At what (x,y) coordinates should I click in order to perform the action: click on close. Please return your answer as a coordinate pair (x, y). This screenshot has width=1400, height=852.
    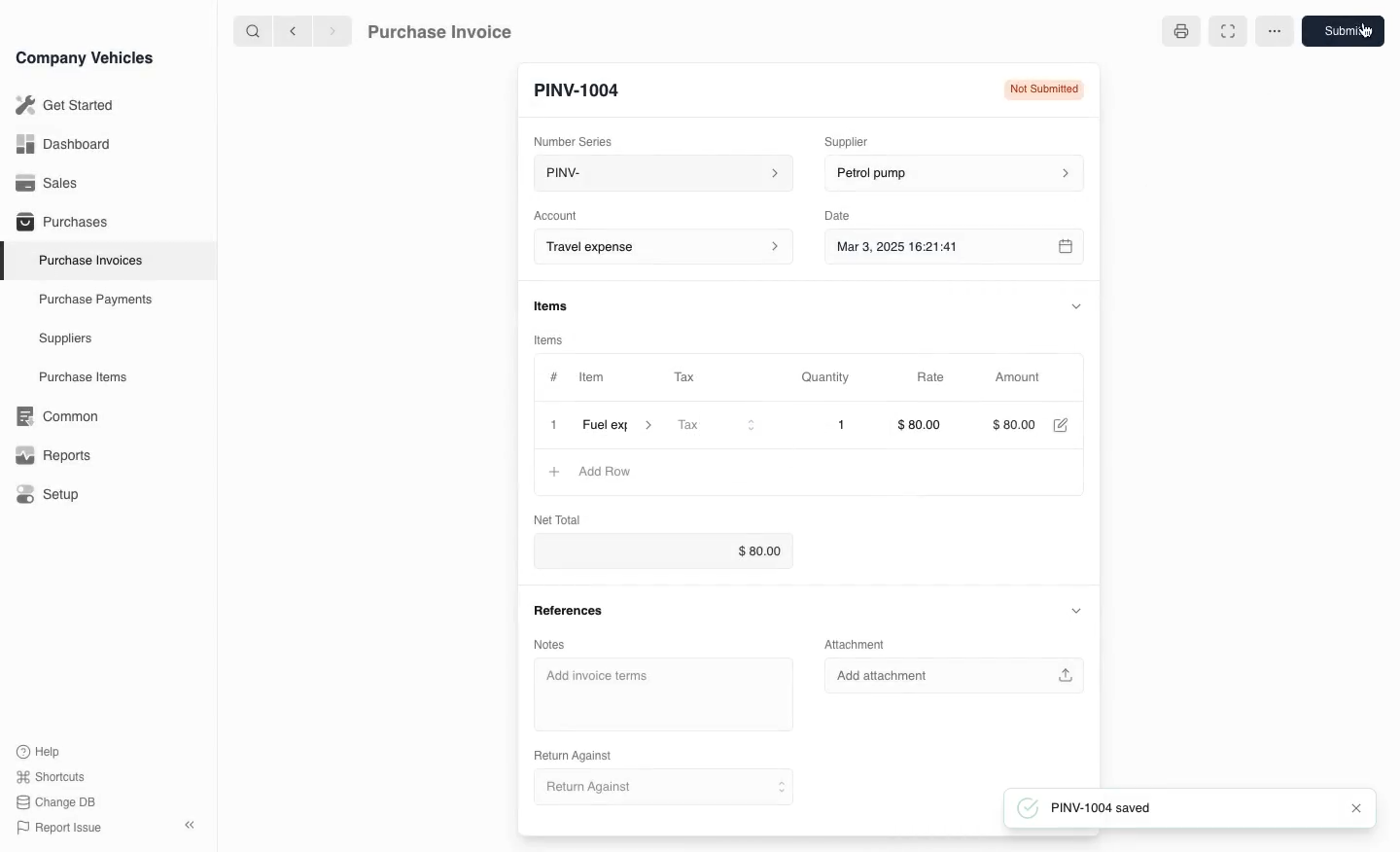
    Looking at the image, I should click on (553, 427).